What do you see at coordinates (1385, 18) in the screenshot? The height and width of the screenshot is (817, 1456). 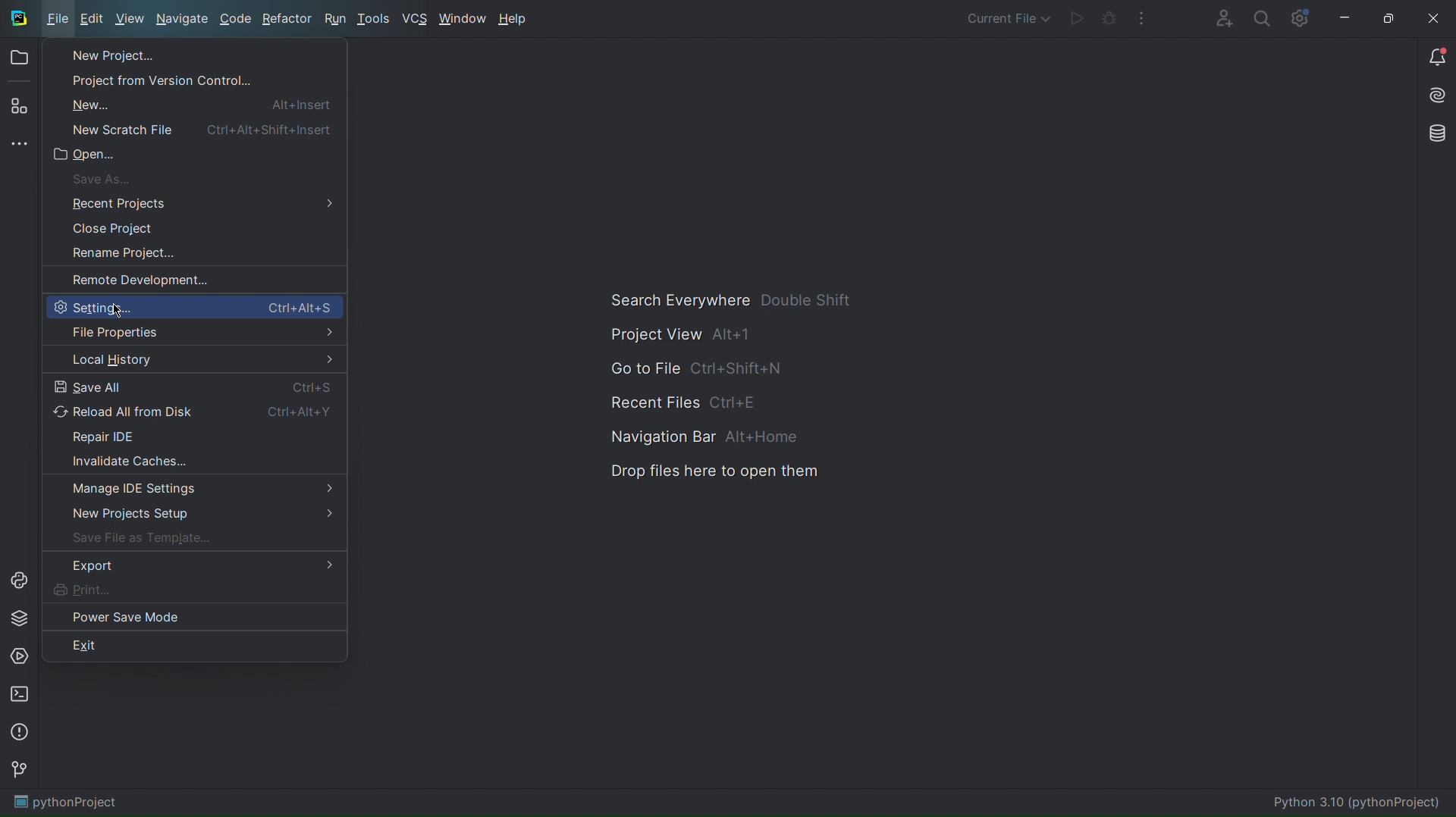 I see `Maximize` at bounding box center [1385, 18].